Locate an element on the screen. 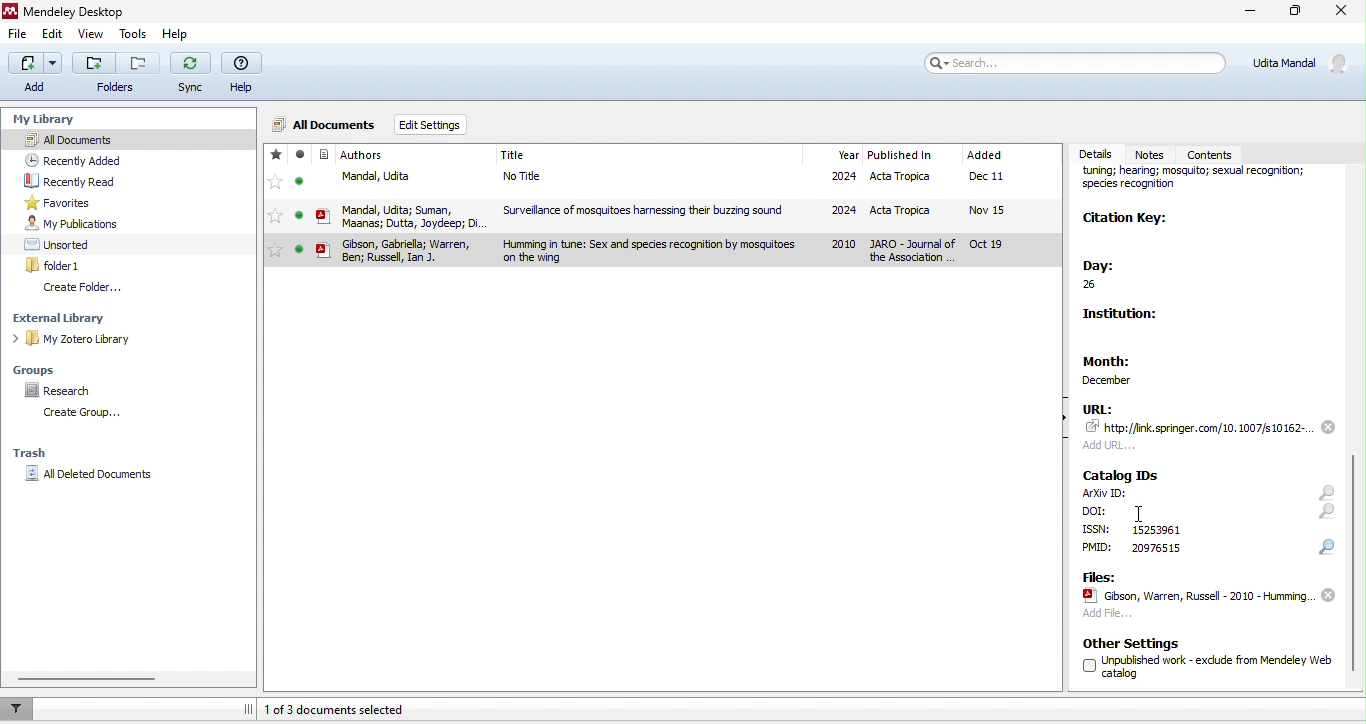  cursor movement is located at coordinates (1142, 515).